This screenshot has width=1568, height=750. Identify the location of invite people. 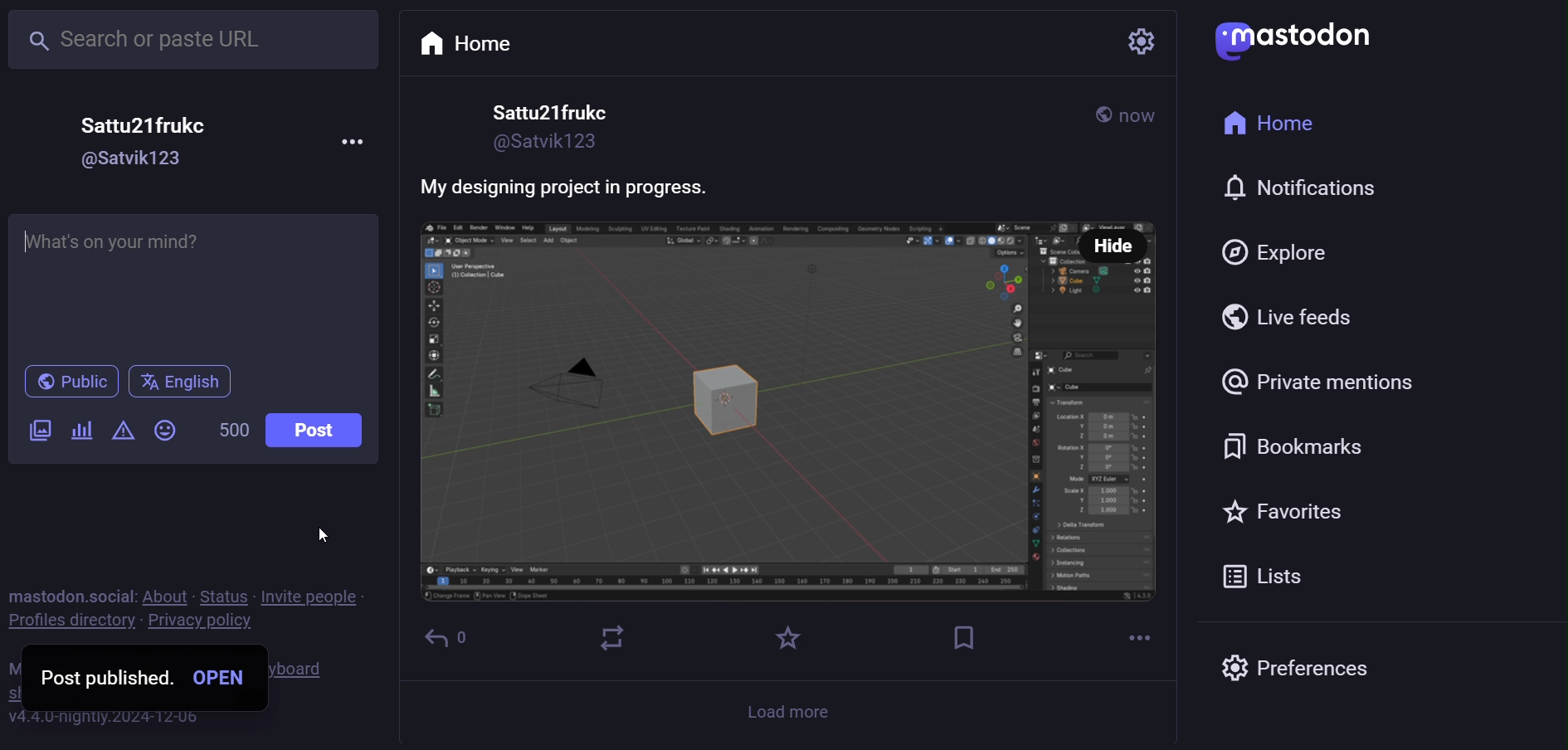
(312, 595).